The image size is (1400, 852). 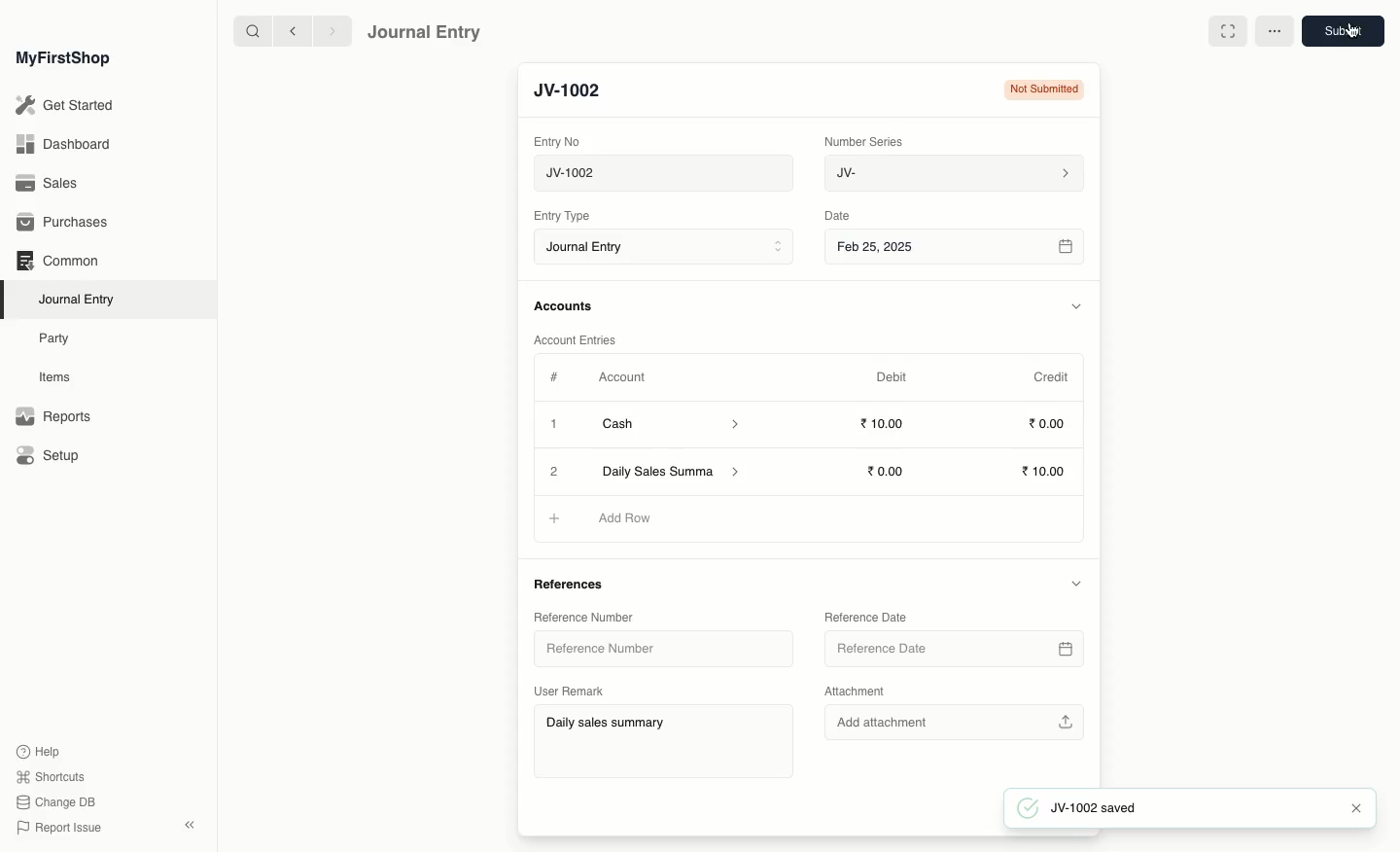 What do you see at coordinates (66, 106) in the screenshot?
I see `Get Started` at bounding box center [66, 106].